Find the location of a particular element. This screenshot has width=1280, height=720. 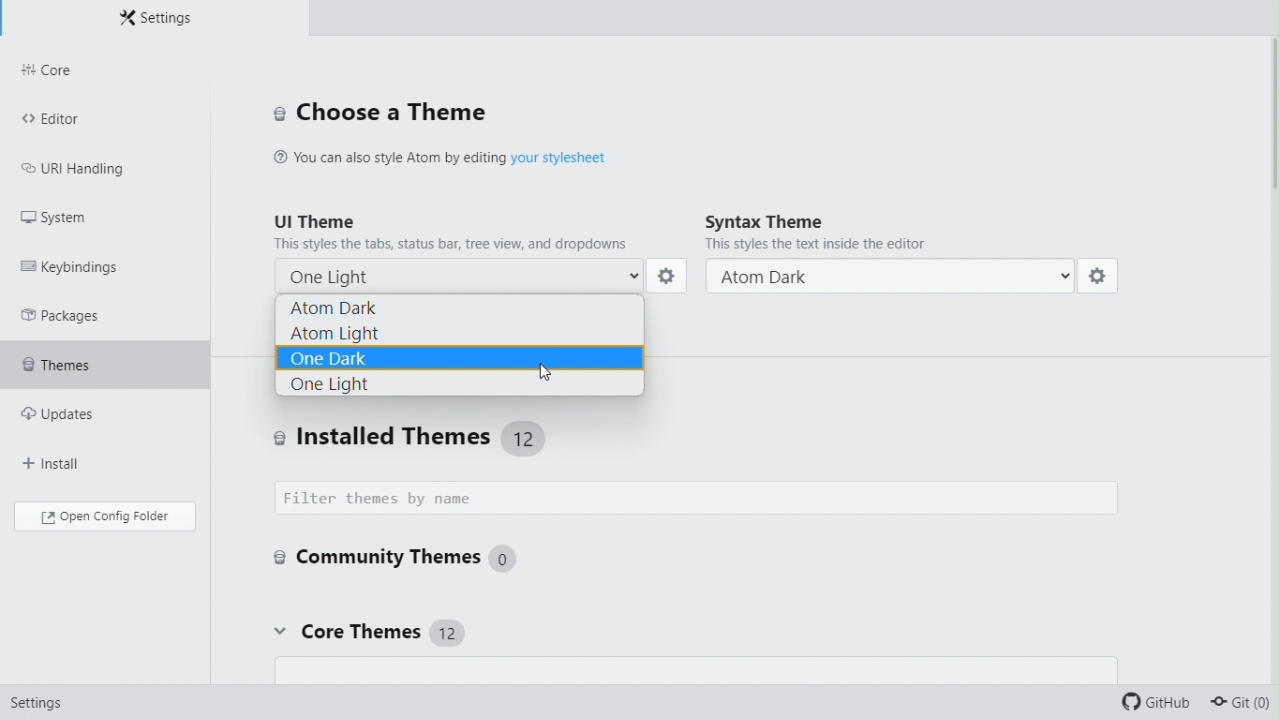

Keybinding is located at coordinates (79, 266).